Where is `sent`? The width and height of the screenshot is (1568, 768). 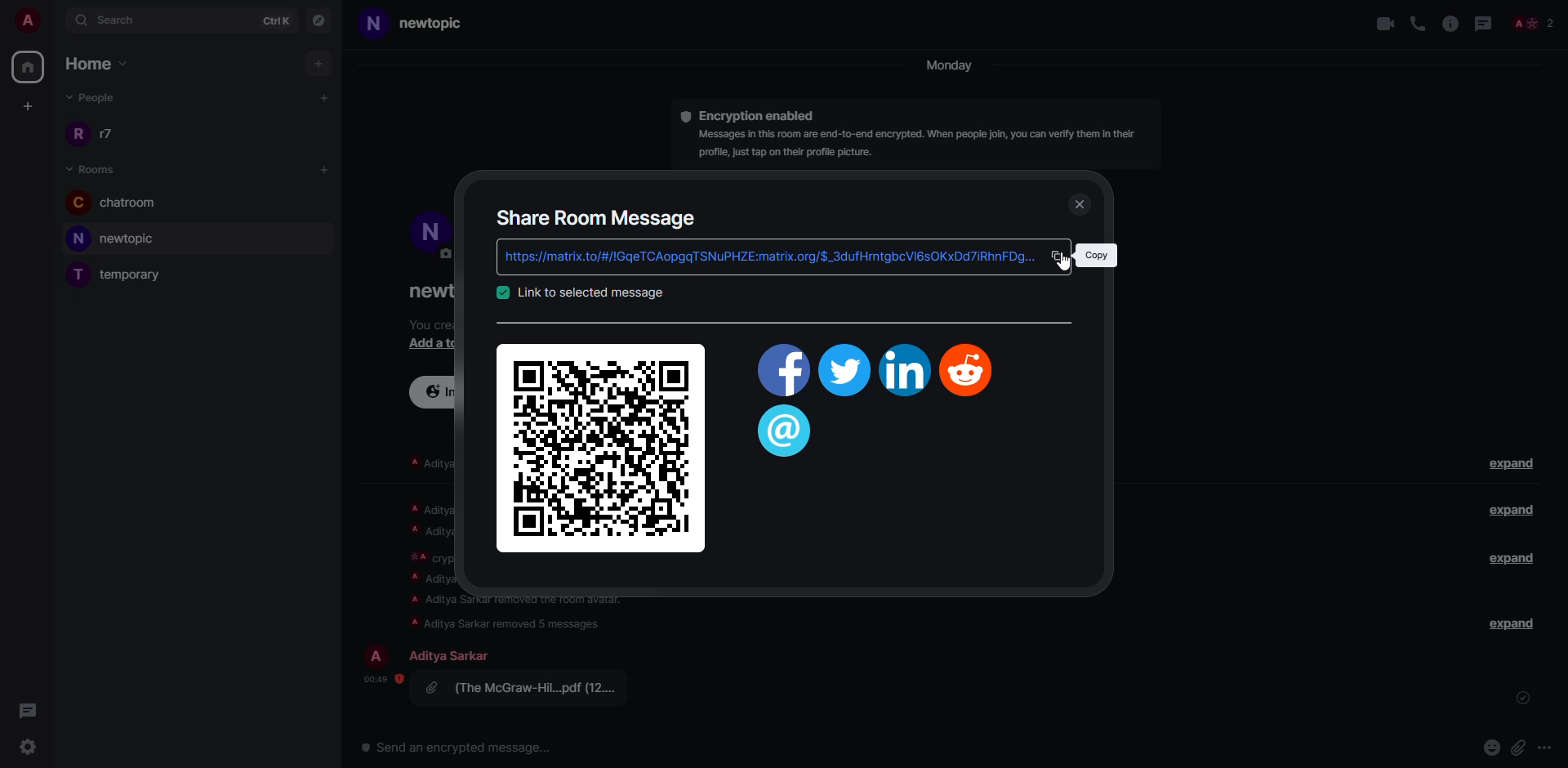 sent is located at coordinates (1525, 699).